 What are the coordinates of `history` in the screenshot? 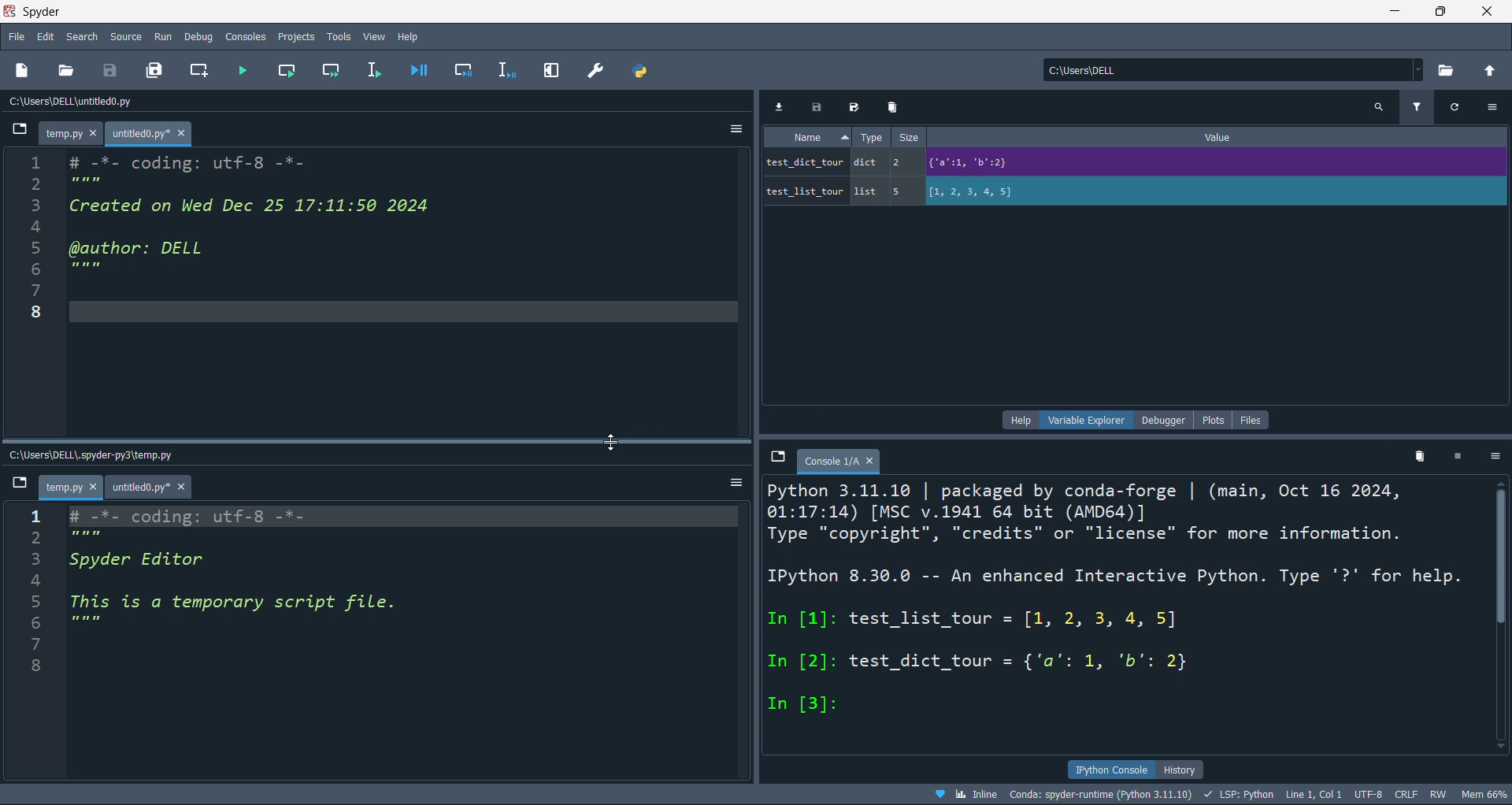 It's located at (1184, 768).